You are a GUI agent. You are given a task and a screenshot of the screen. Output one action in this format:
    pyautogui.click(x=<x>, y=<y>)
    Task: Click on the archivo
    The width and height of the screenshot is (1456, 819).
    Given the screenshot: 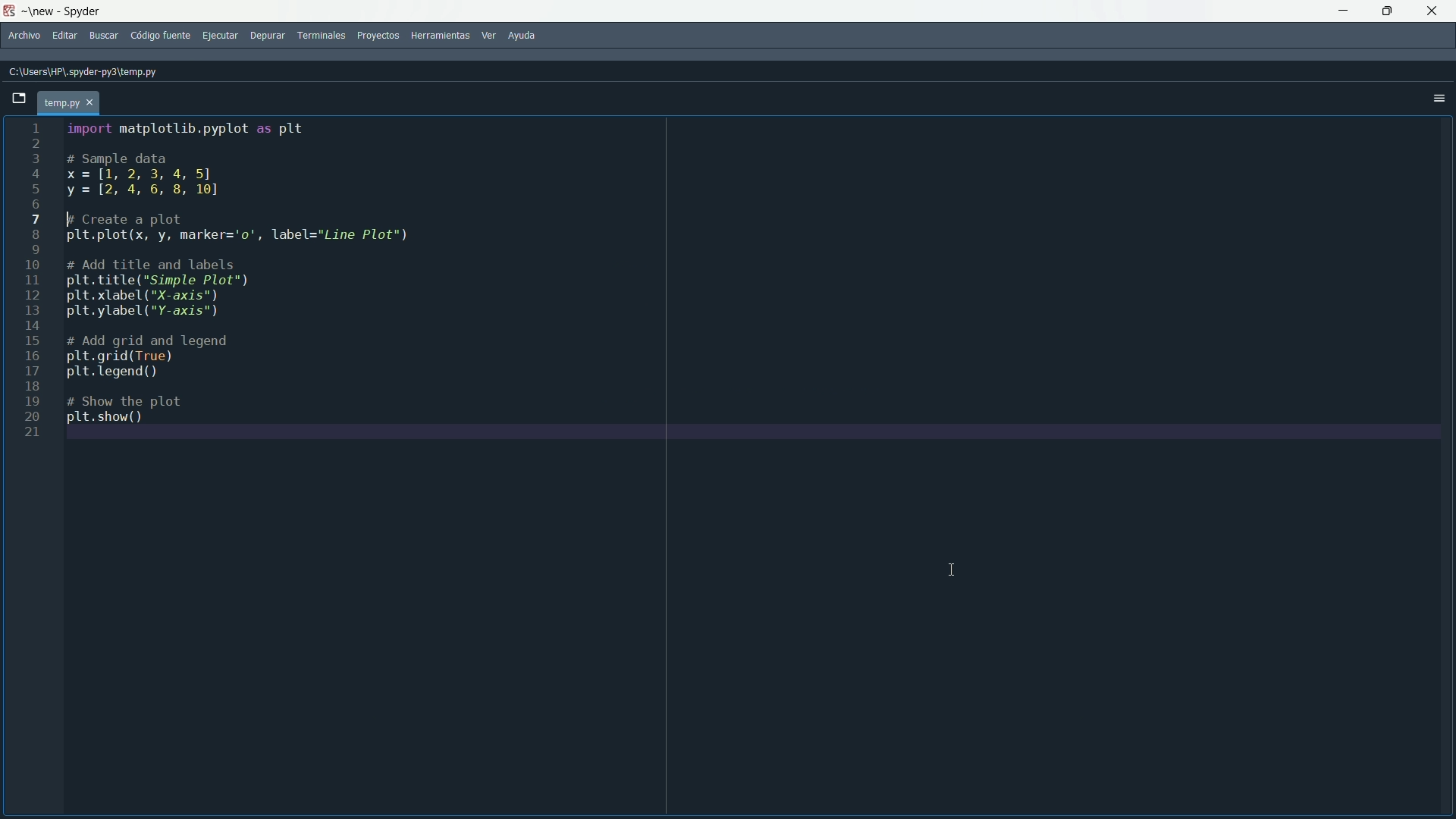 What is the action you would take?
    pyautogui.click(x=25, y=35)
    